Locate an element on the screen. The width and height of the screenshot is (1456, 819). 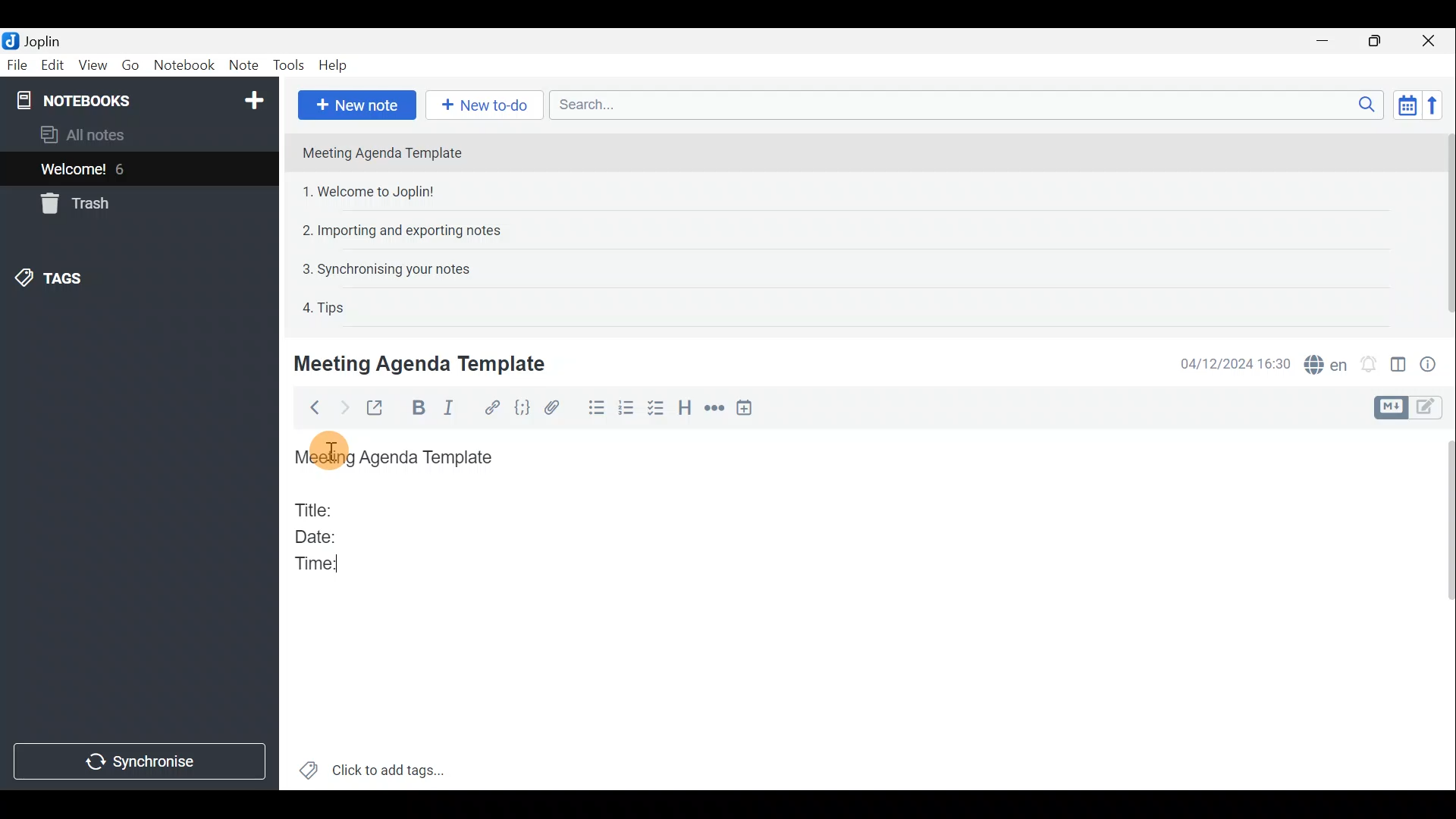
Maximise is located at coordinates (1376, 42).